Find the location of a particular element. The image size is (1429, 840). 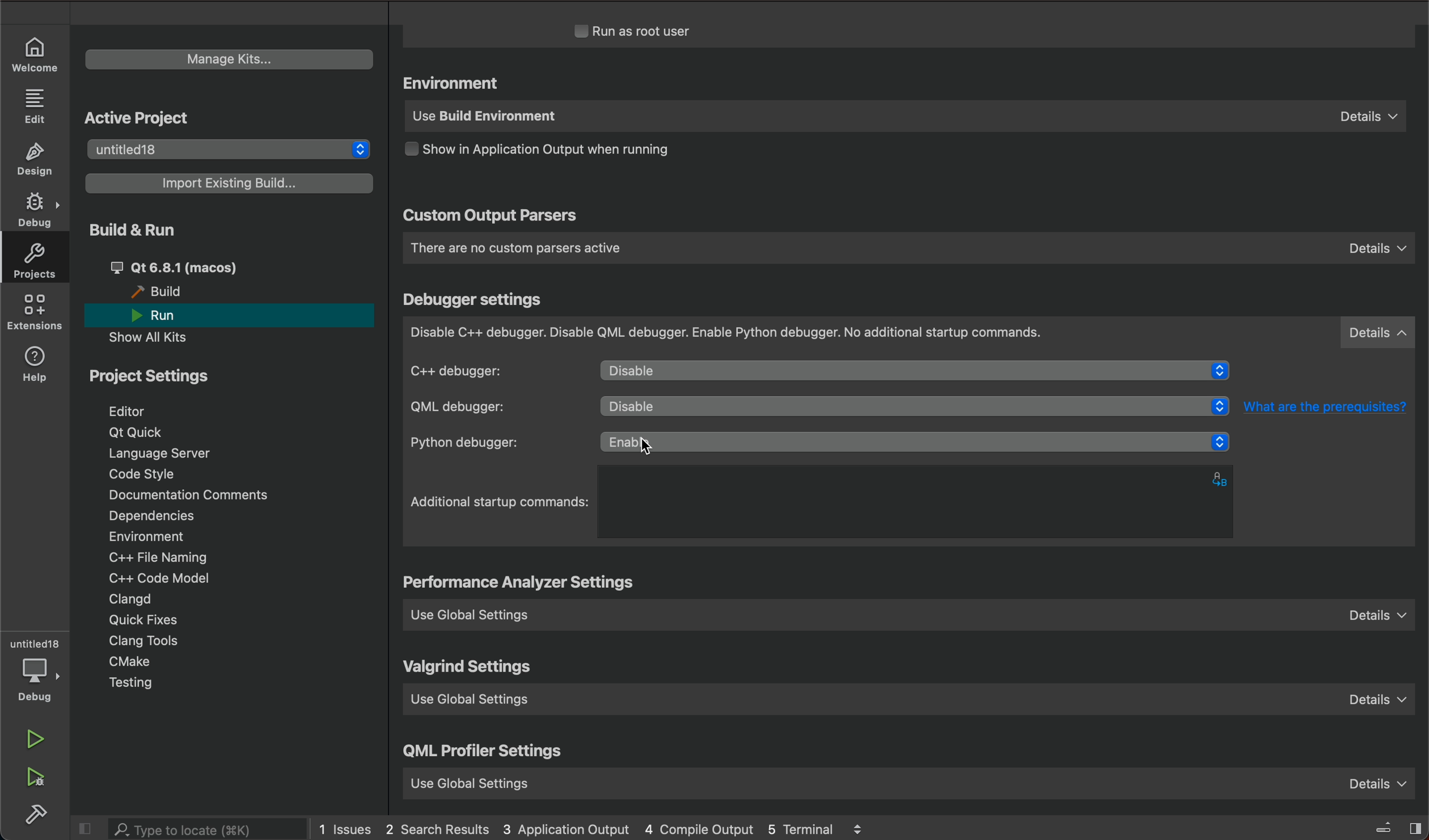

close slidebar is located at coordinates (90, 829).